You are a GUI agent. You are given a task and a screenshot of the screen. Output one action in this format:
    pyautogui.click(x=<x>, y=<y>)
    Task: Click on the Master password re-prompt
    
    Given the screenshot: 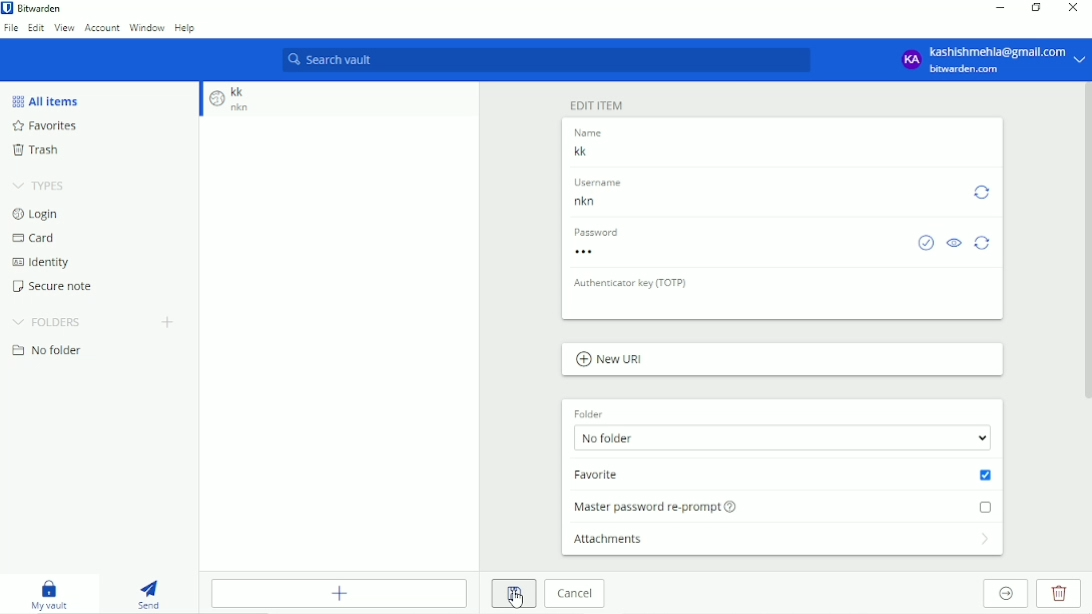 What is the action you would take?
    pyautogui.click(x=779, y=506)
    